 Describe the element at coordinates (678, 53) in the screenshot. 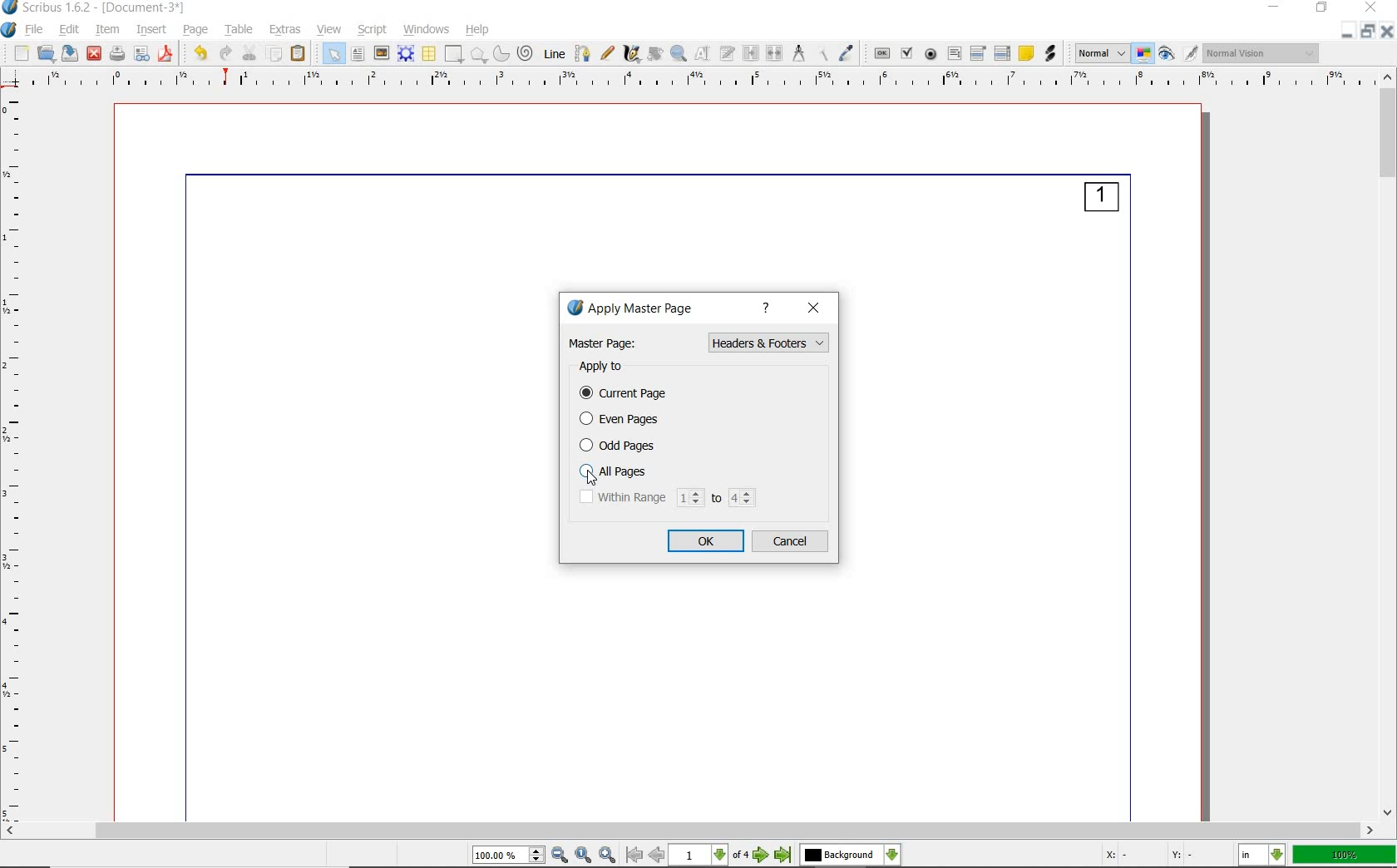

I see `zoom in or zoom out` at that location.